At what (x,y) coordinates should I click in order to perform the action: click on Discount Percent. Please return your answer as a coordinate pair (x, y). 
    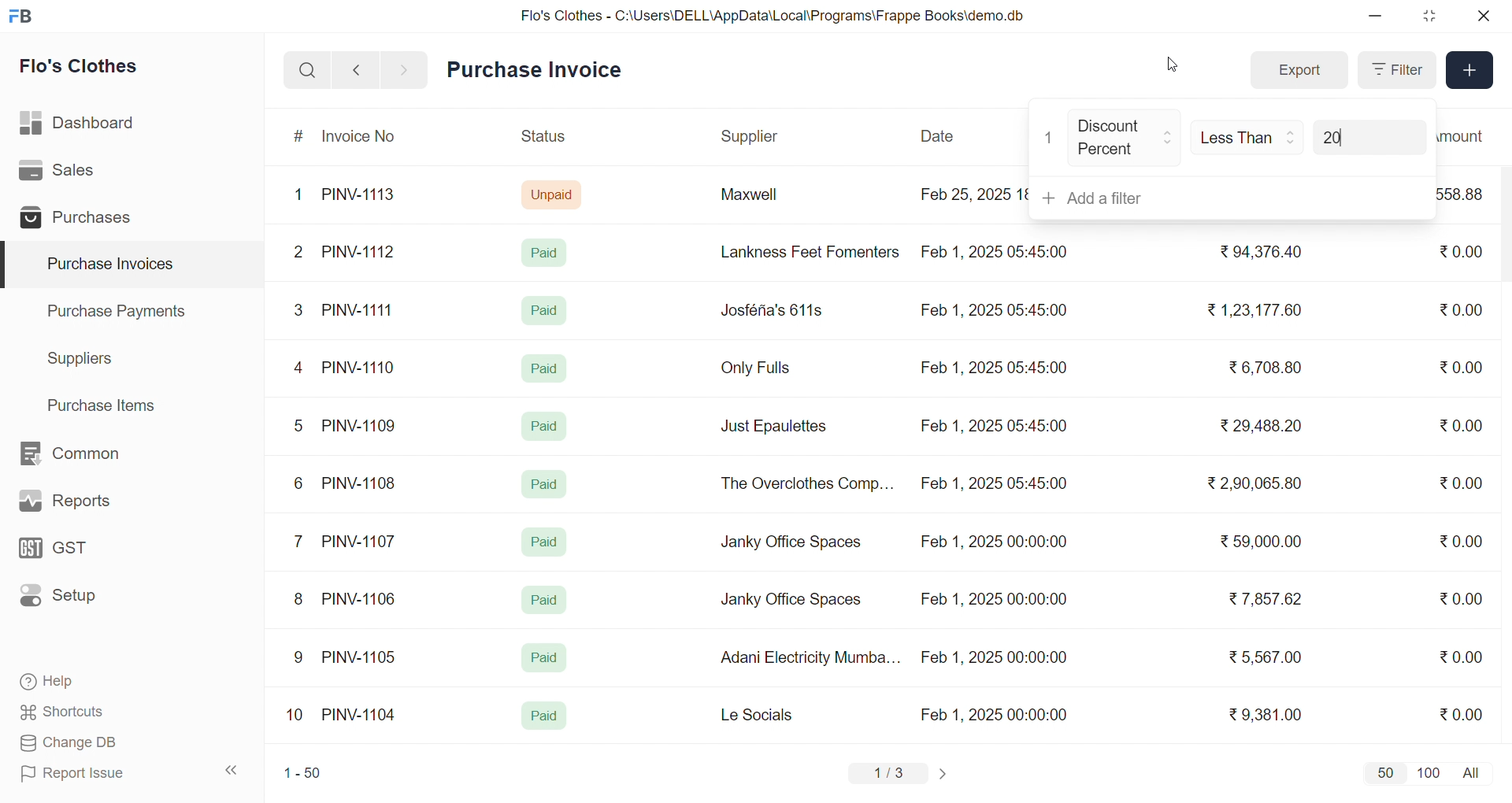
    Looking at the image, I should click on (1125, 138).